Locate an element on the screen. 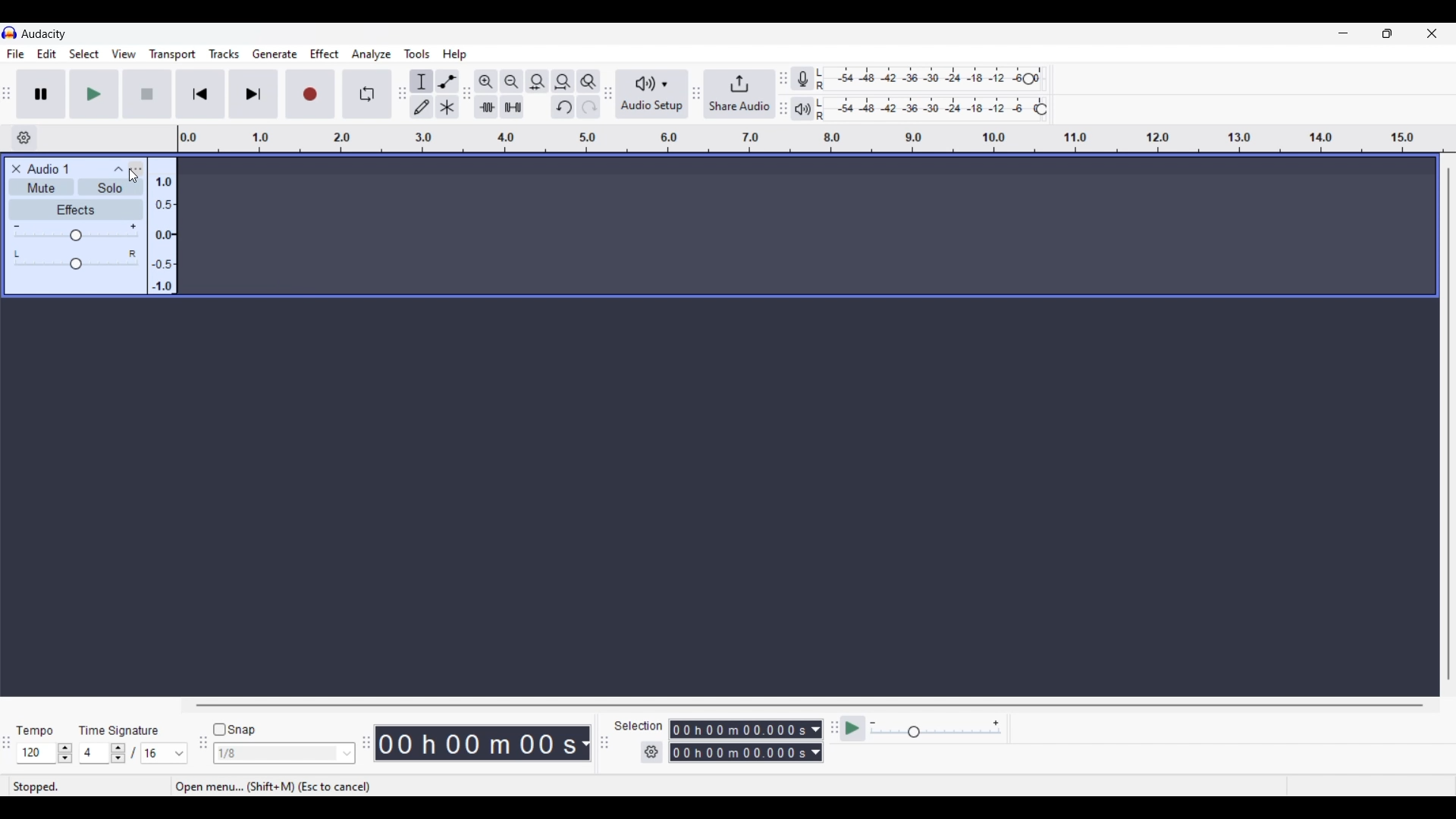 The width and height of the screenshot is (1456, 819). Zoom out is located at coordinates (511, 81).